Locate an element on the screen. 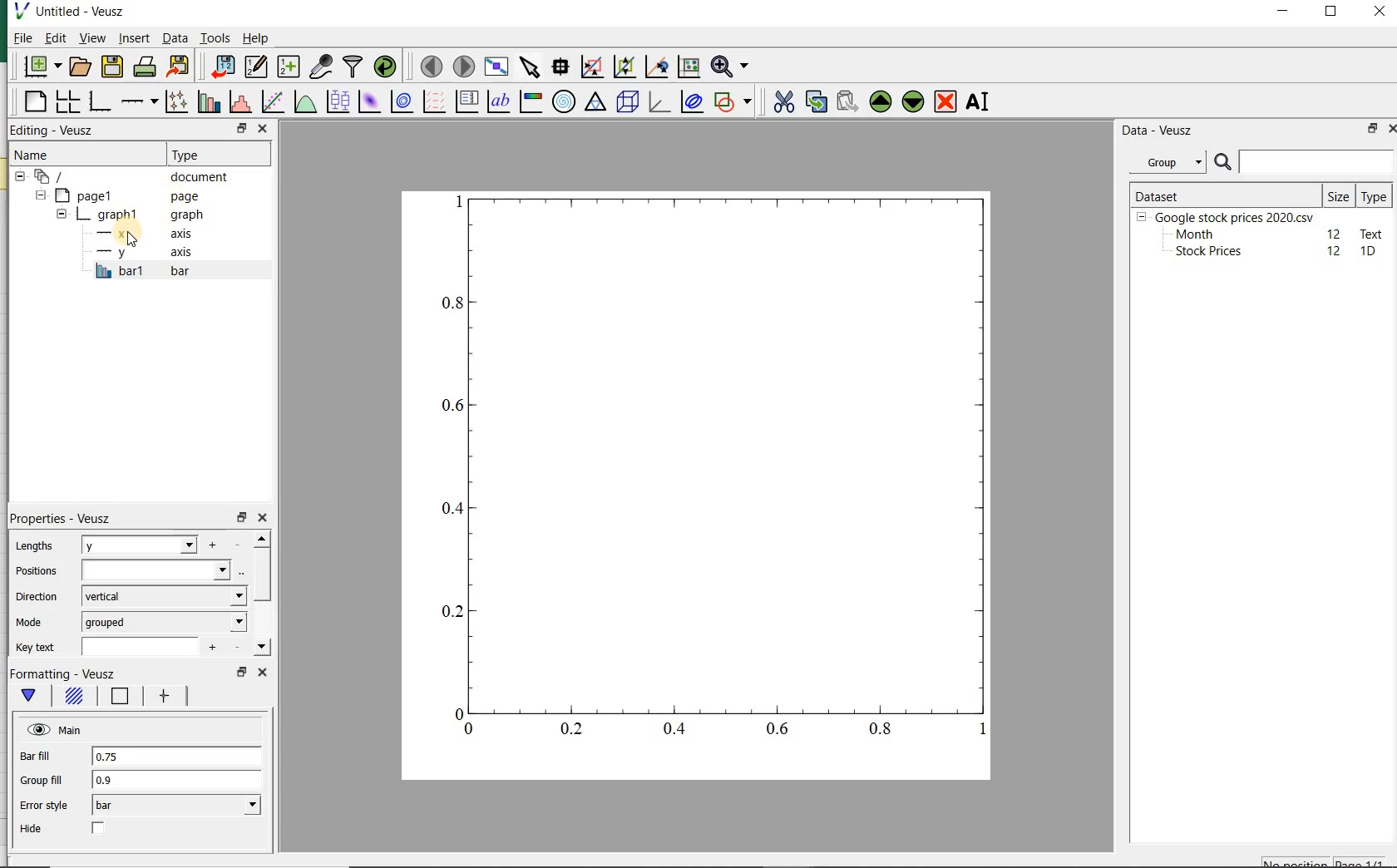  import data into Veusz is located at coordinates (220, 67).